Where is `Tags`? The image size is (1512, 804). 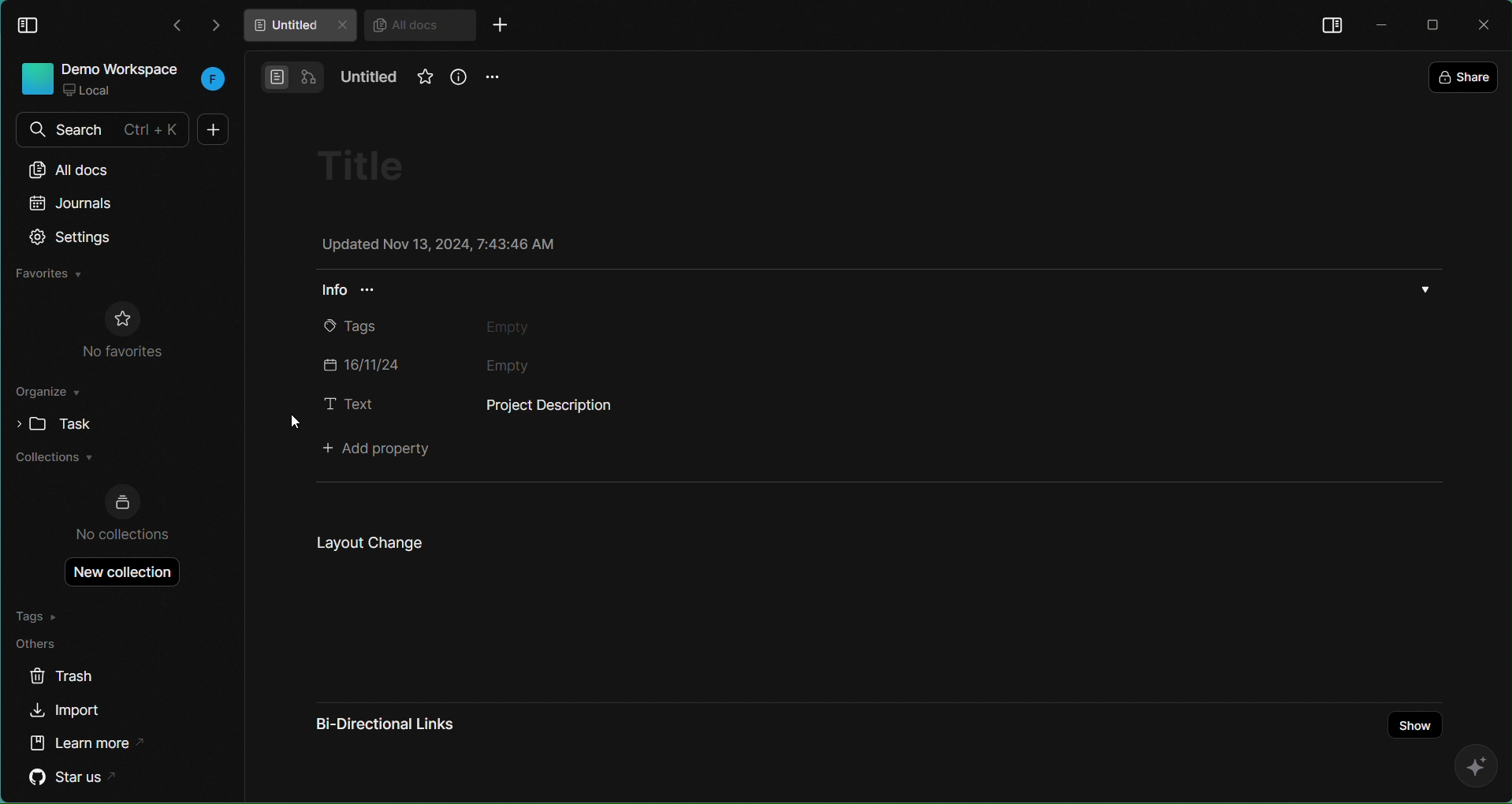 Tags is located at coordinates (477, 327).